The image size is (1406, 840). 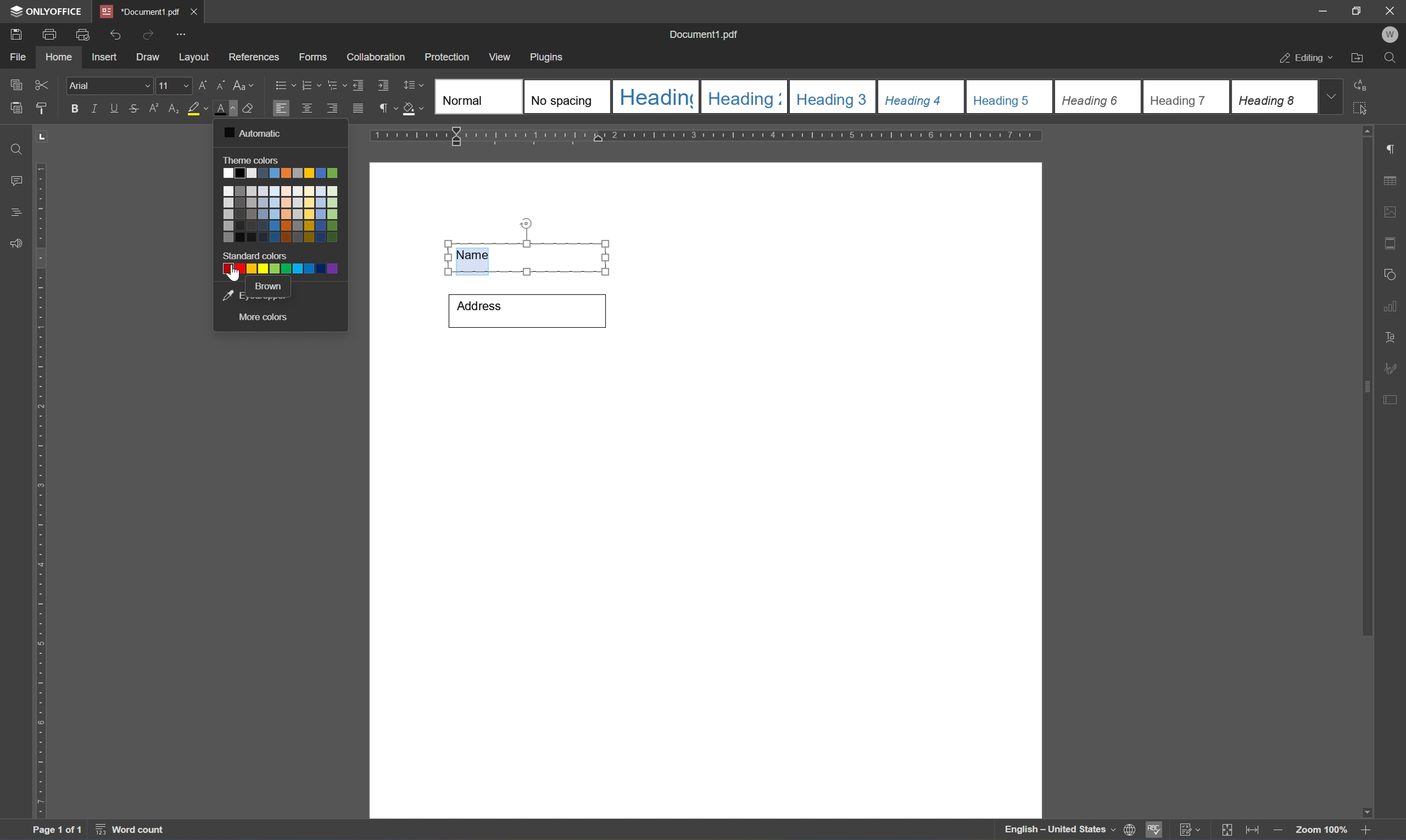 What do you see at coordinates (145, 34) in the screenshot?
I see `redo` at bounding box center [145, 34].